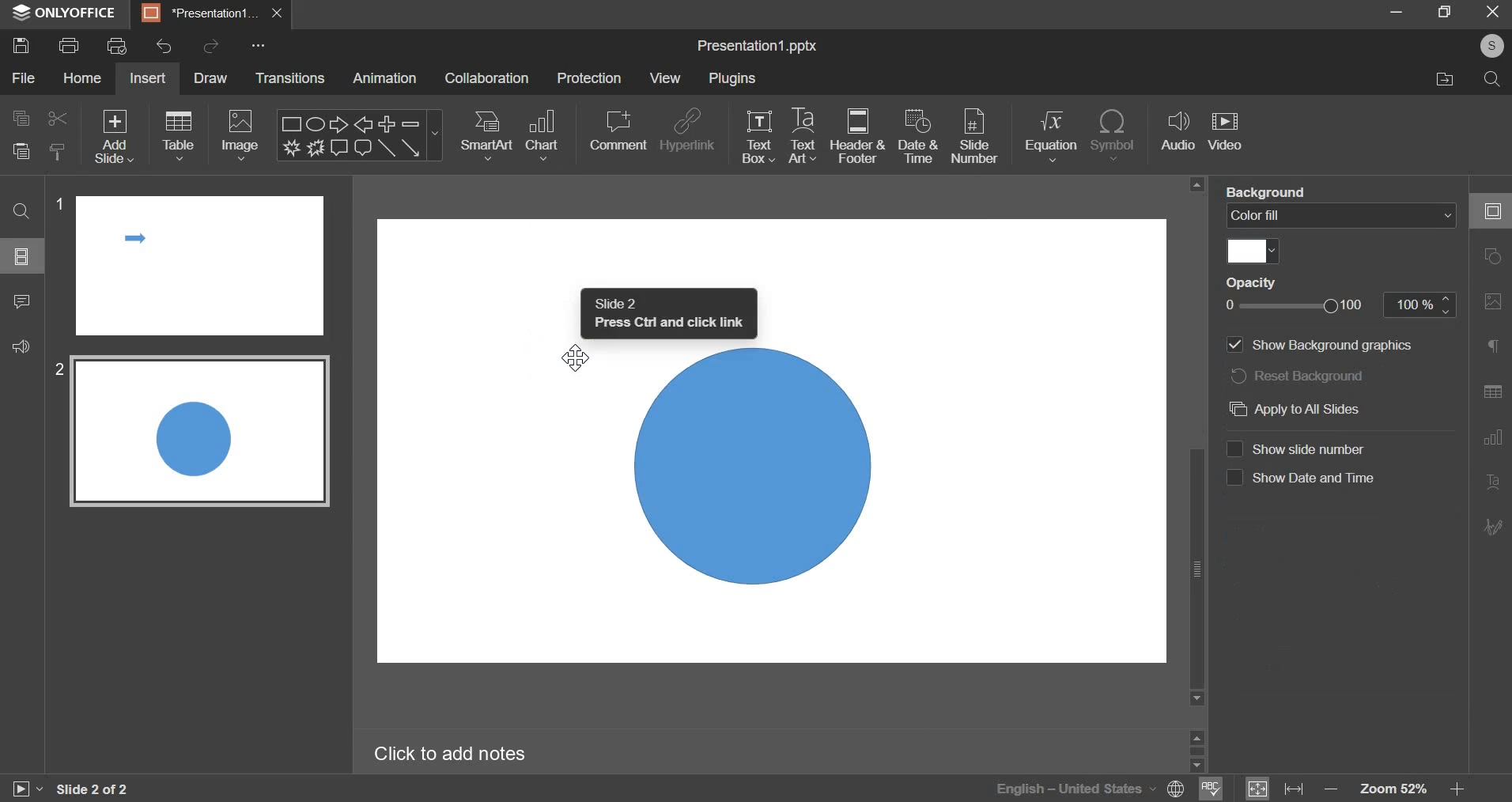  What do you see at coordinates (1445, 11) in the screenshot?
I see `maximize` at bounding box center [1445, 11].